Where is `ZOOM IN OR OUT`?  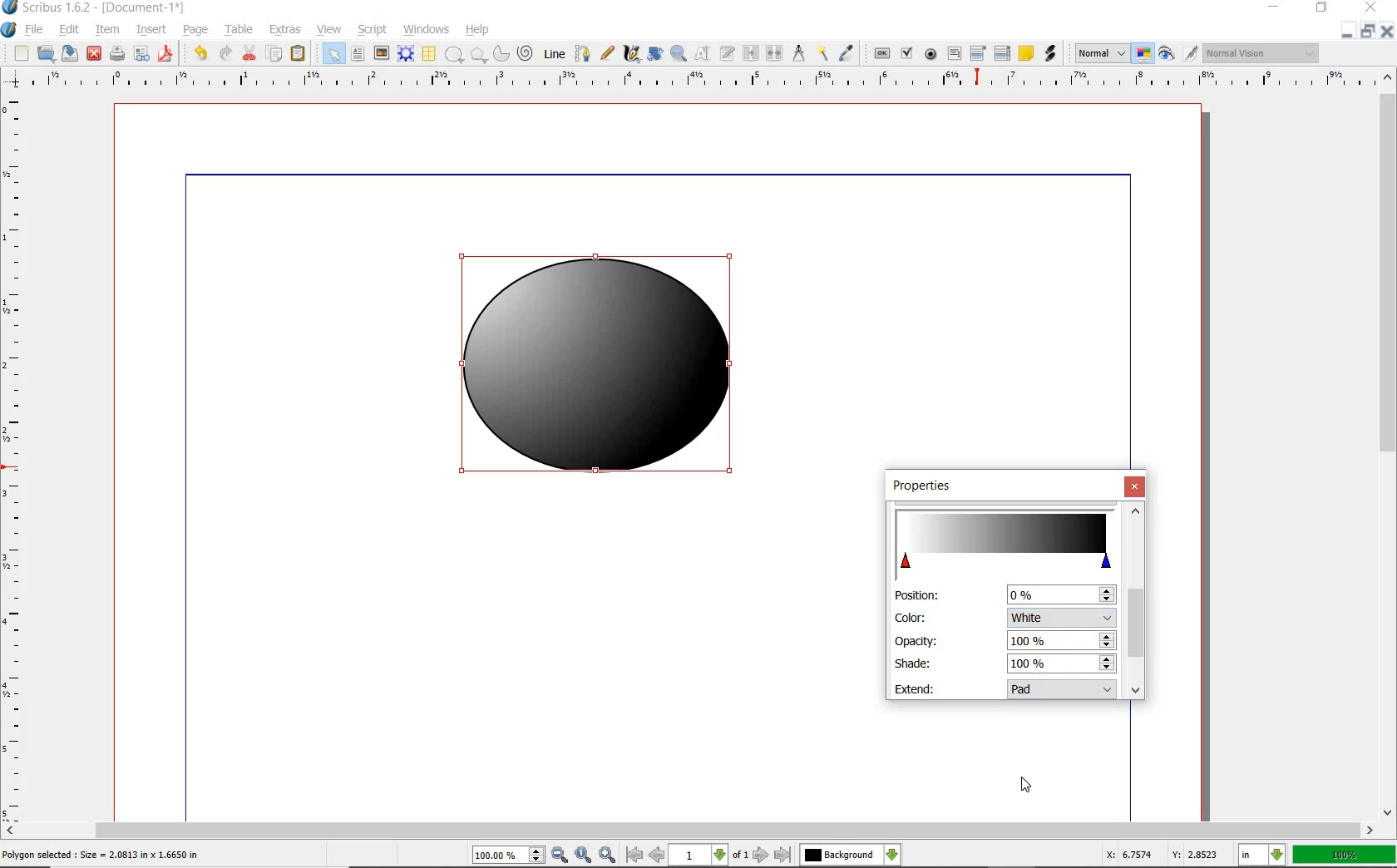 ZOOM IN OR OUT is located at coordinates (678, 54).